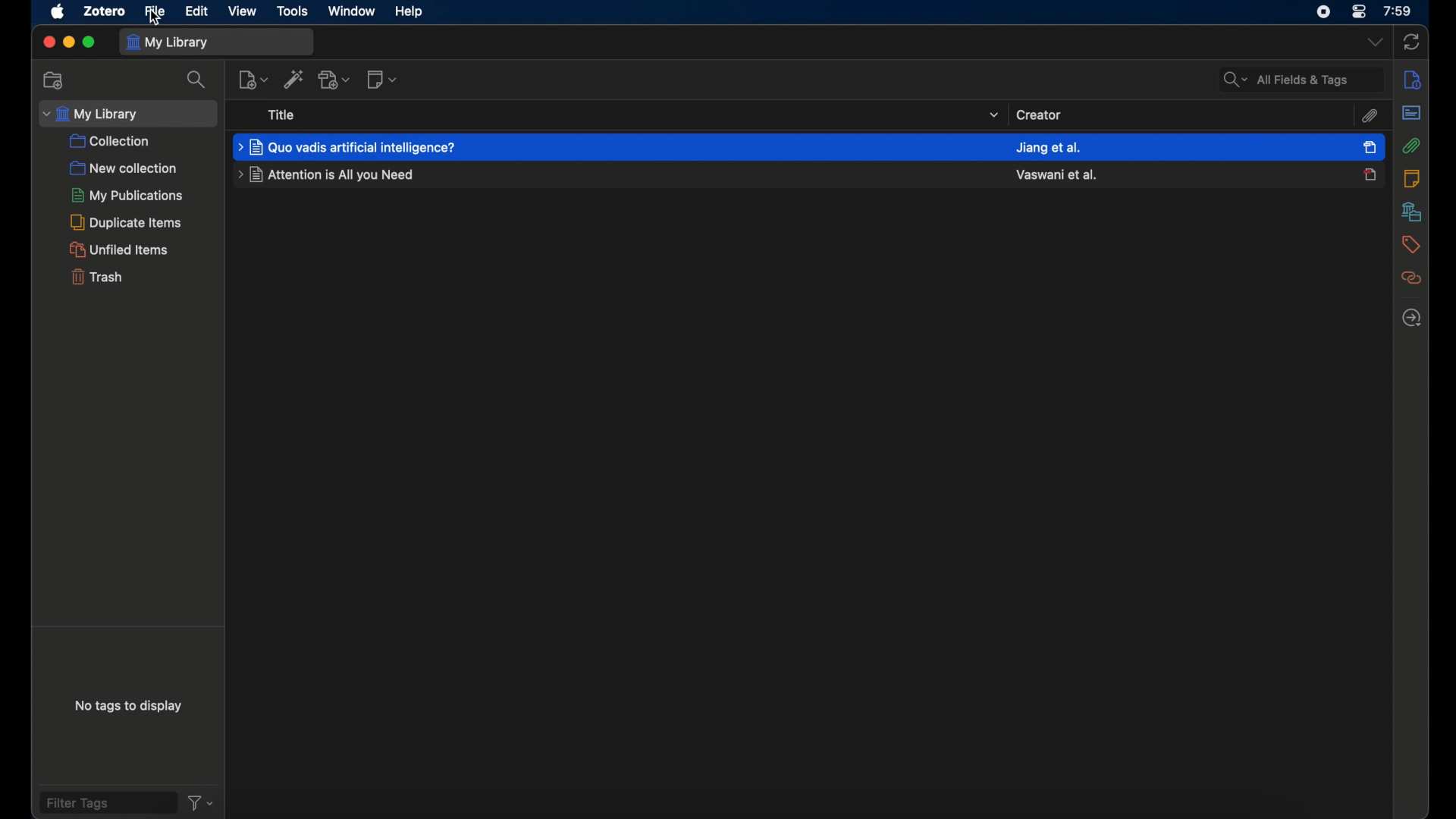  Describe the element at coordinates (128, 195) in the screenshot. I see `my publications` at that location.